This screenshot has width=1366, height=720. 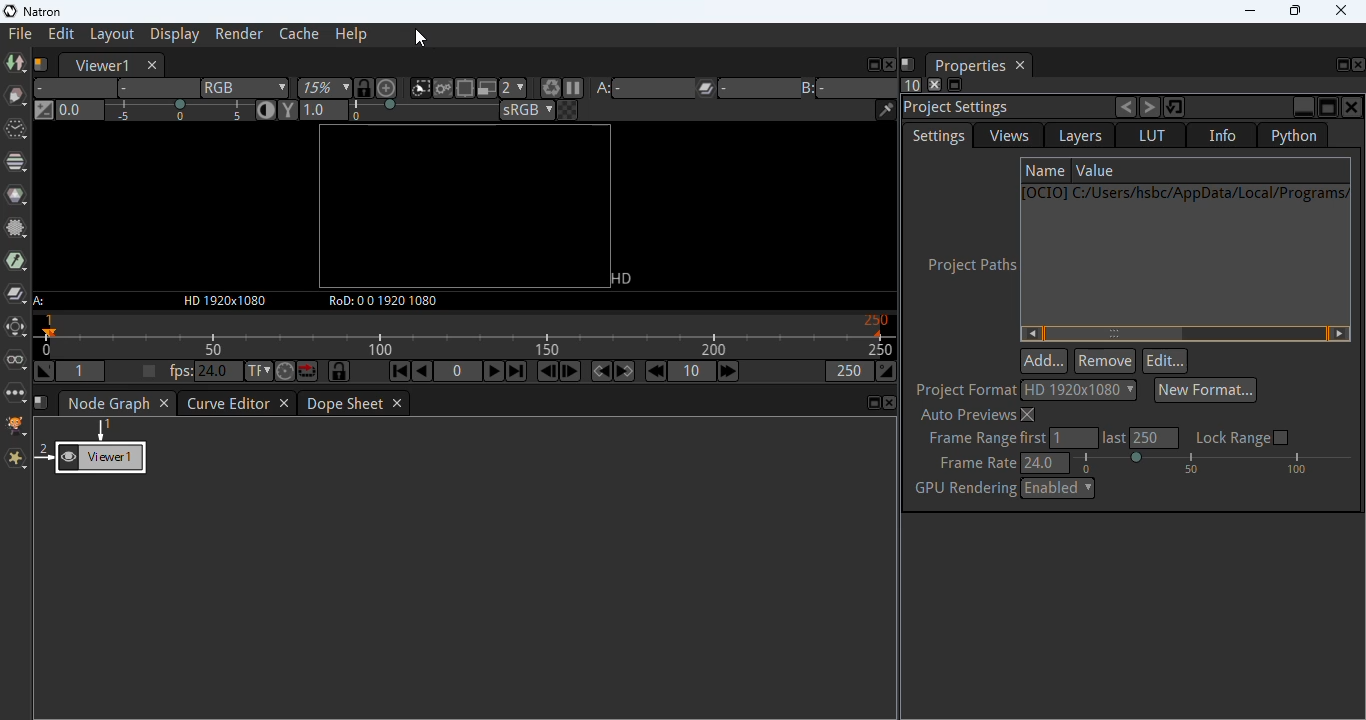 What do you see at coordinates (1021, 66) in the screenshot?
I see `close tab` at bounding box center [1021, 66].